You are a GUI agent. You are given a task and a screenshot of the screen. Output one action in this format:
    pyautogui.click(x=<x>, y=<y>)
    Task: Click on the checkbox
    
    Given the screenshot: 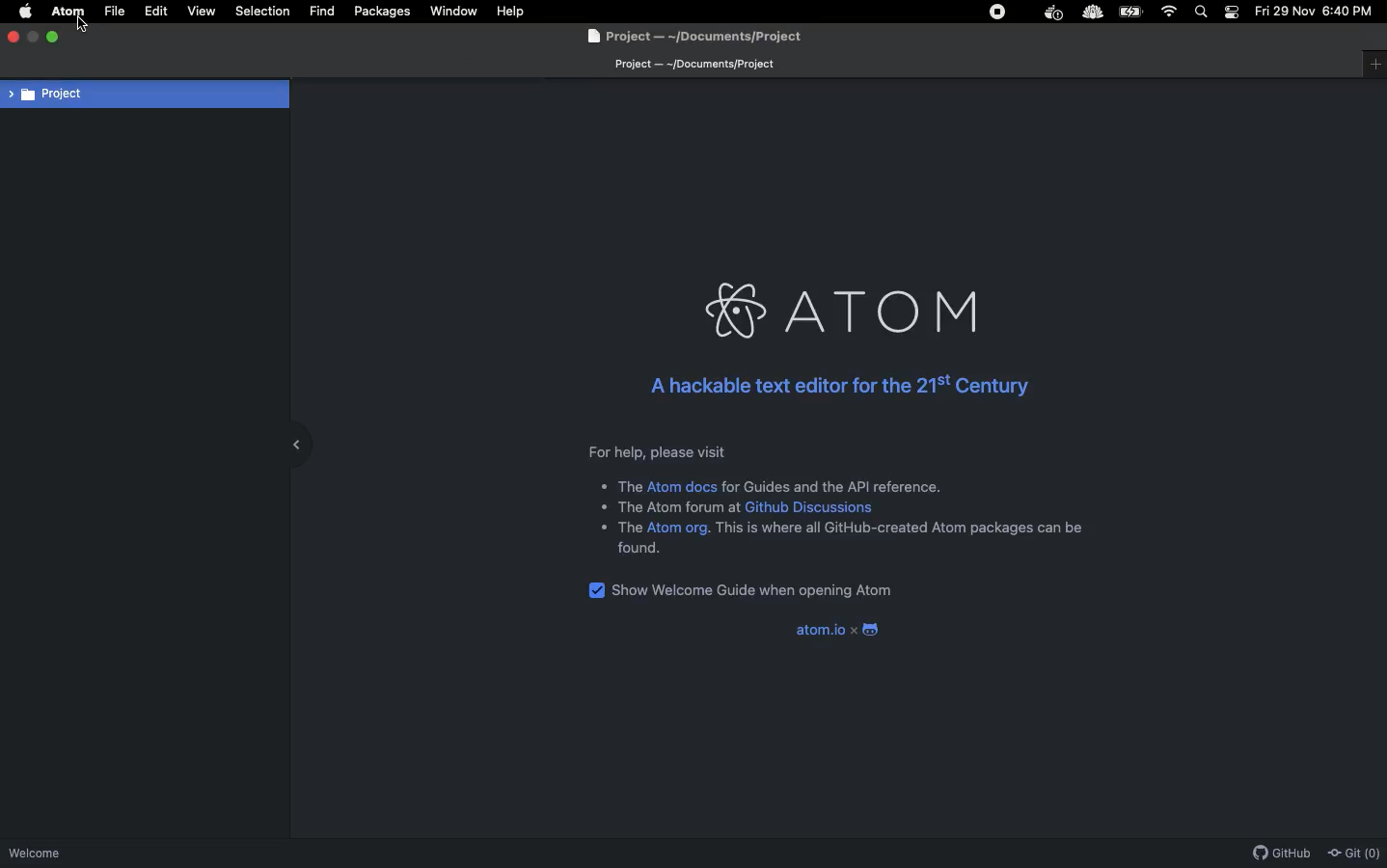 What is the action you would take?
    pyautogui.click(x=594, y=589)
    